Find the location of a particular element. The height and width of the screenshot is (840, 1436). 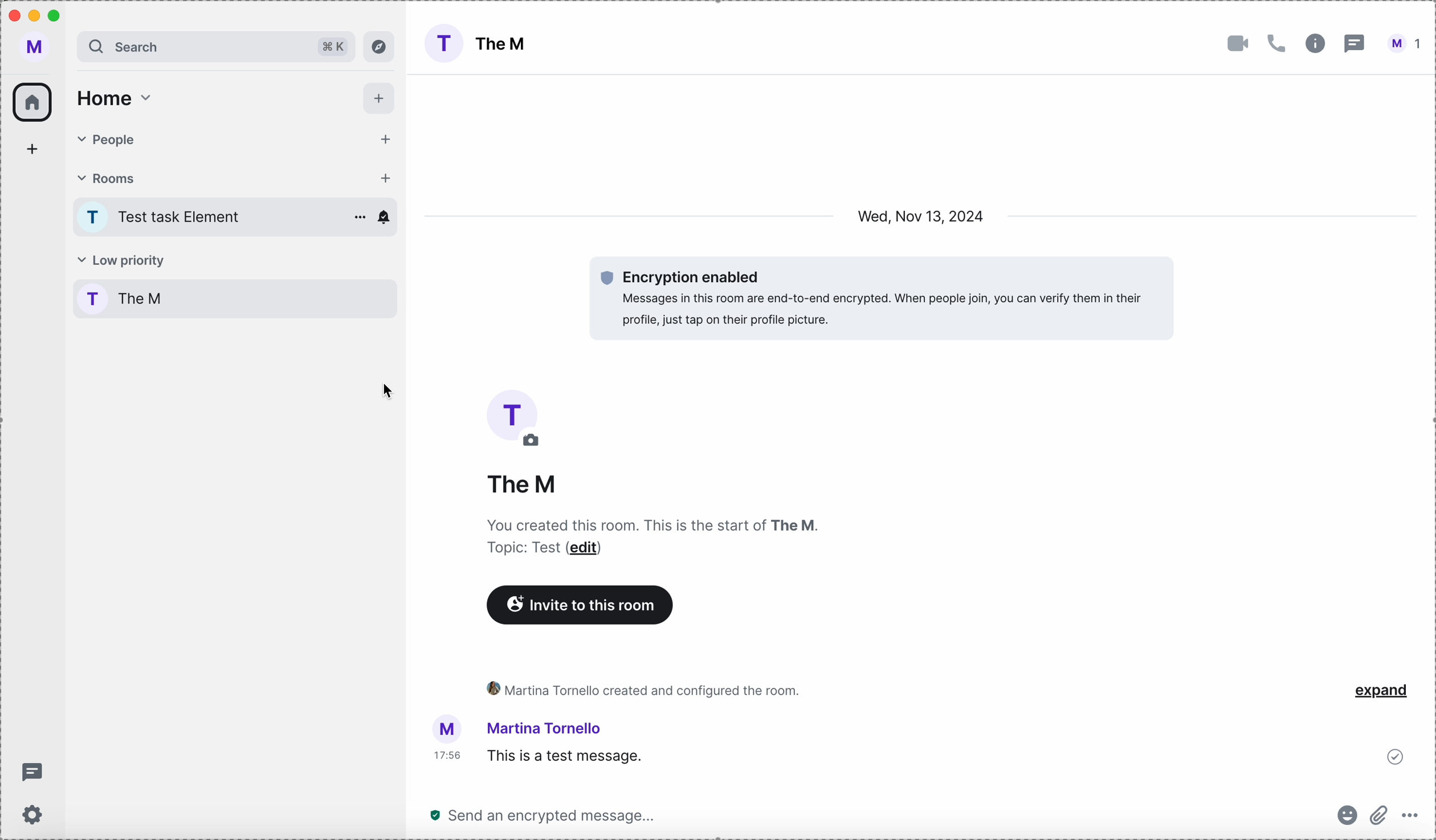

activated notifications is located at coordinates (384, 218).